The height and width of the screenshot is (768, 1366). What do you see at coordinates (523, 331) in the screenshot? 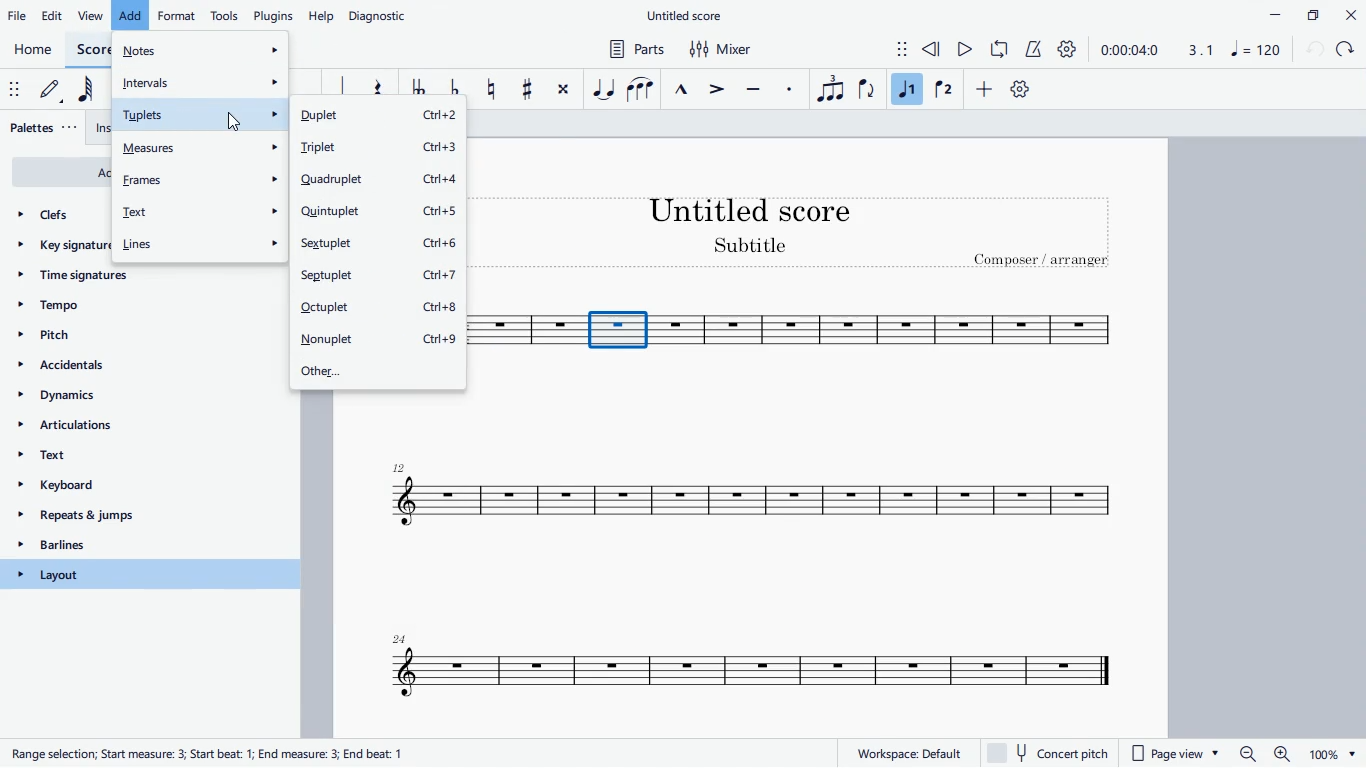
I see `score` at bounding box center [523, 331].